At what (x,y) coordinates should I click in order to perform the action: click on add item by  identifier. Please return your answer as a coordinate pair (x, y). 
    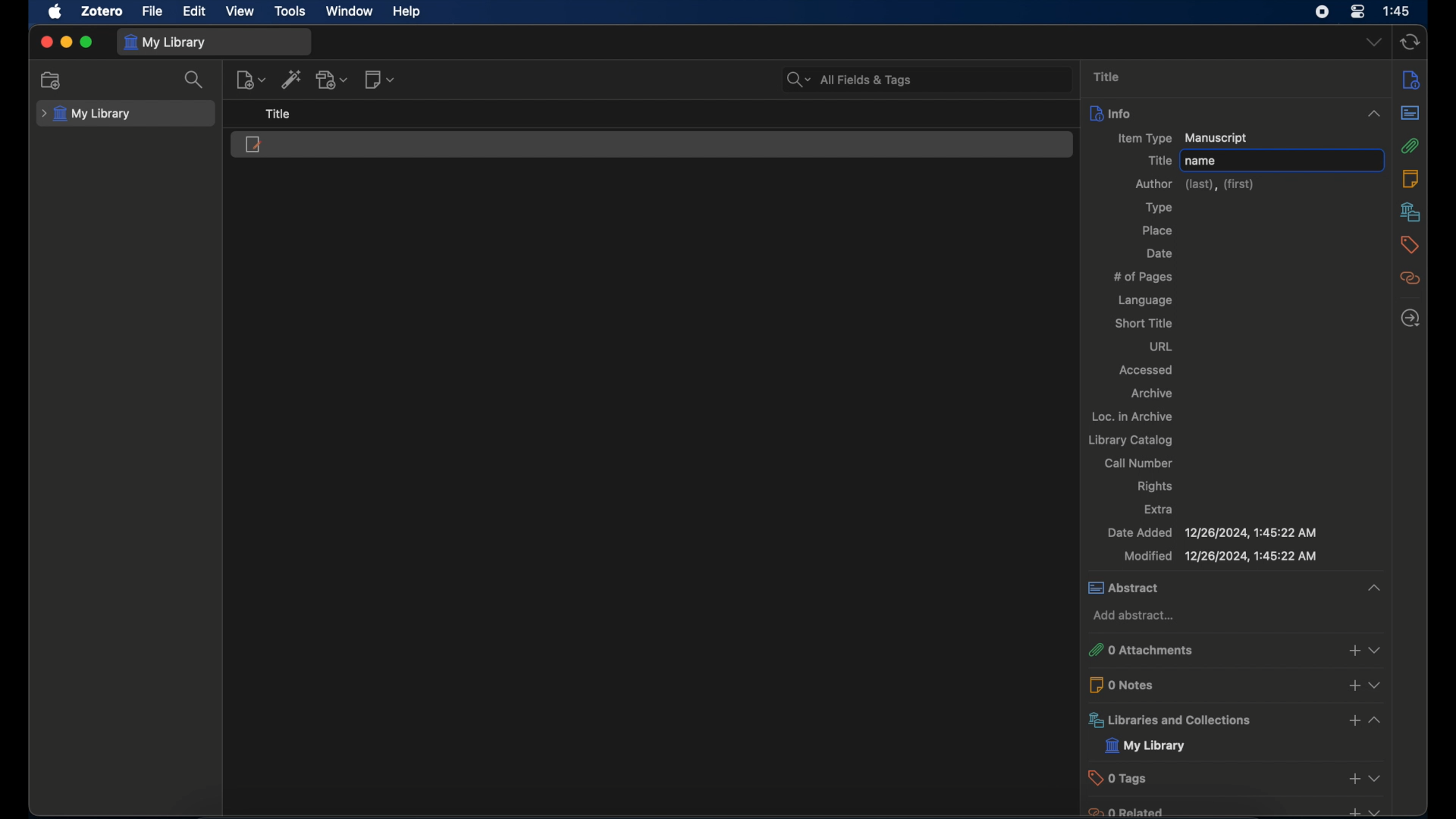
    Looking at the image, I should click on (292, 79).